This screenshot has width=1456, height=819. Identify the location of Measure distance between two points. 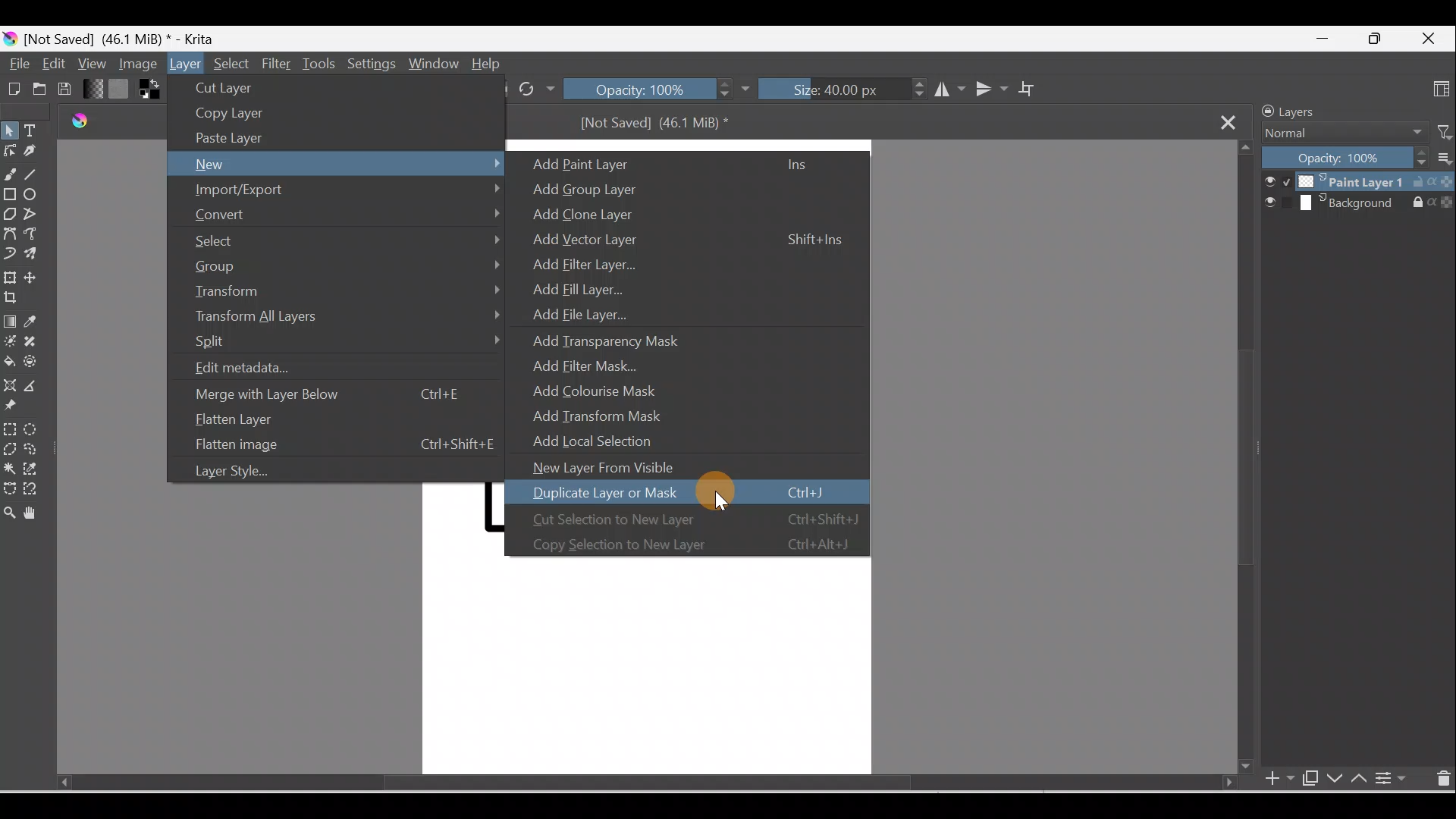
(37, 387).